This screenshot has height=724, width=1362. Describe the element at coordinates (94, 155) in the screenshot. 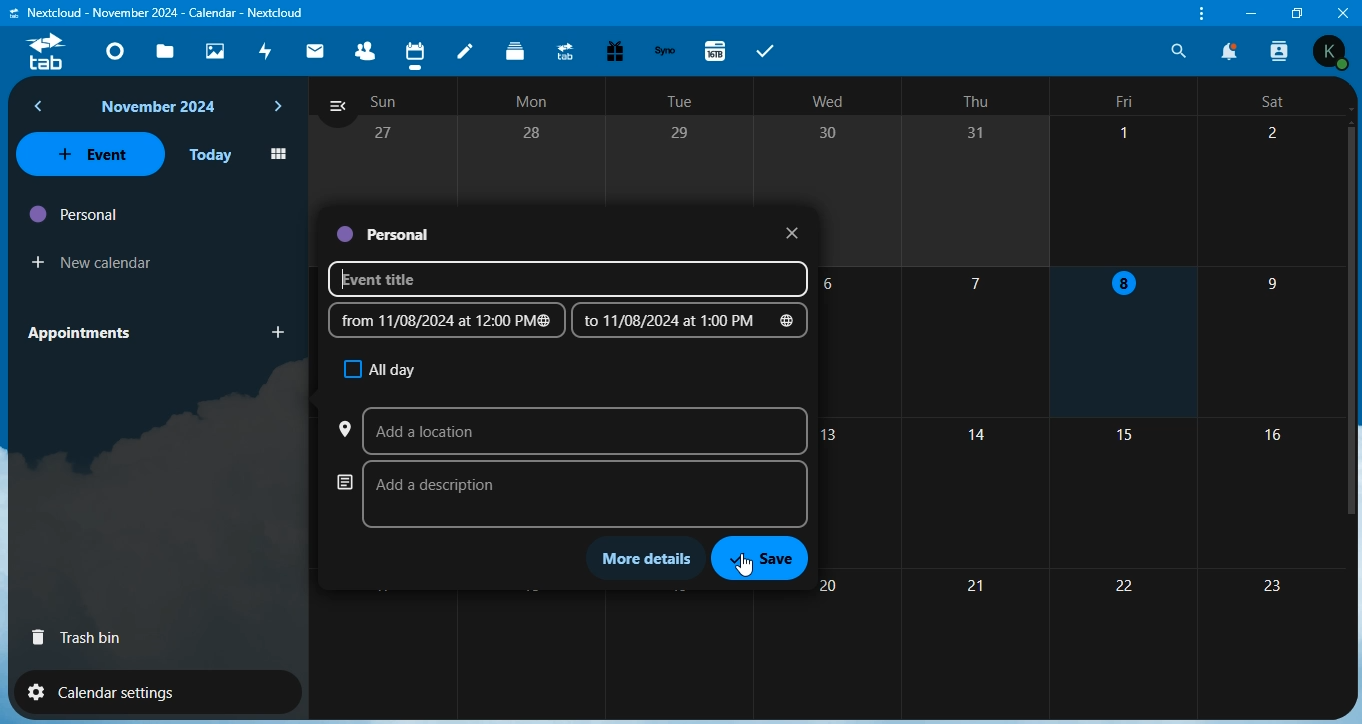

I see `event` at that location.